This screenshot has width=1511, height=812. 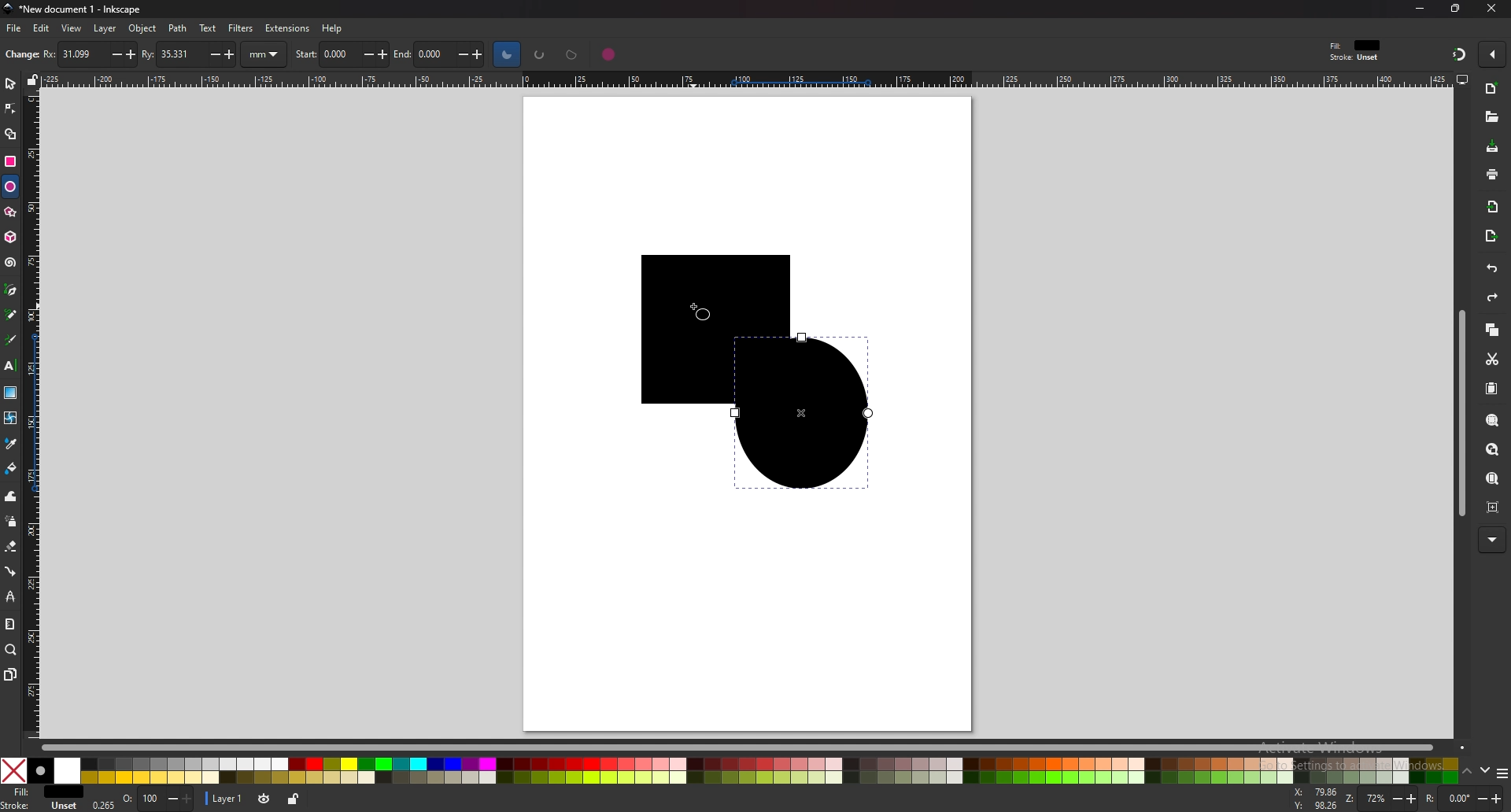 What do you see at coordinates (10, 212) in the screenshot?
I see `star` at bounding box center [10, 212].